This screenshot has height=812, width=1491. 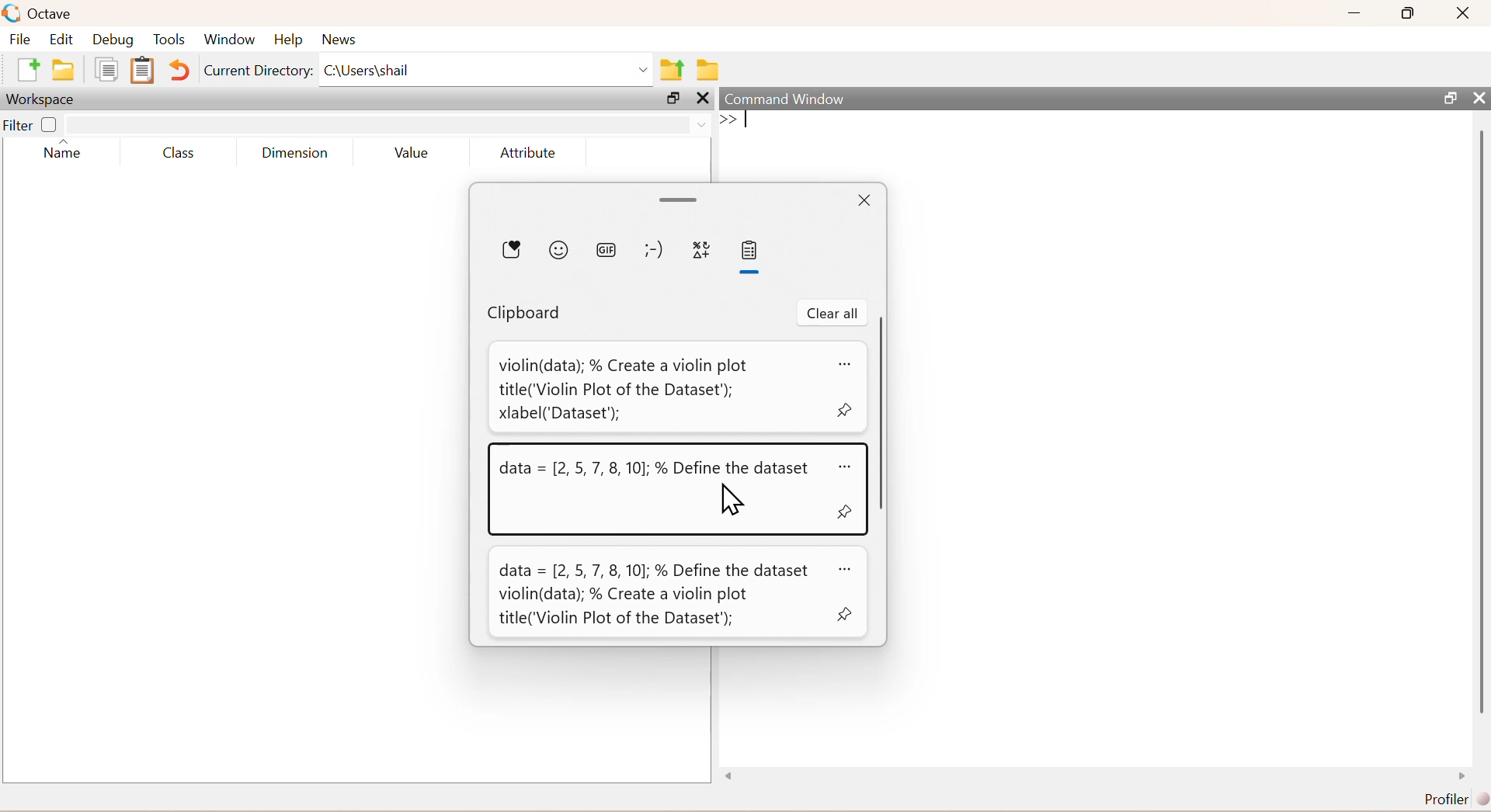 What do you see at coordinates (673, 98) in the screenshot?
I see `open in separate window` at bounding box center [673, 98].